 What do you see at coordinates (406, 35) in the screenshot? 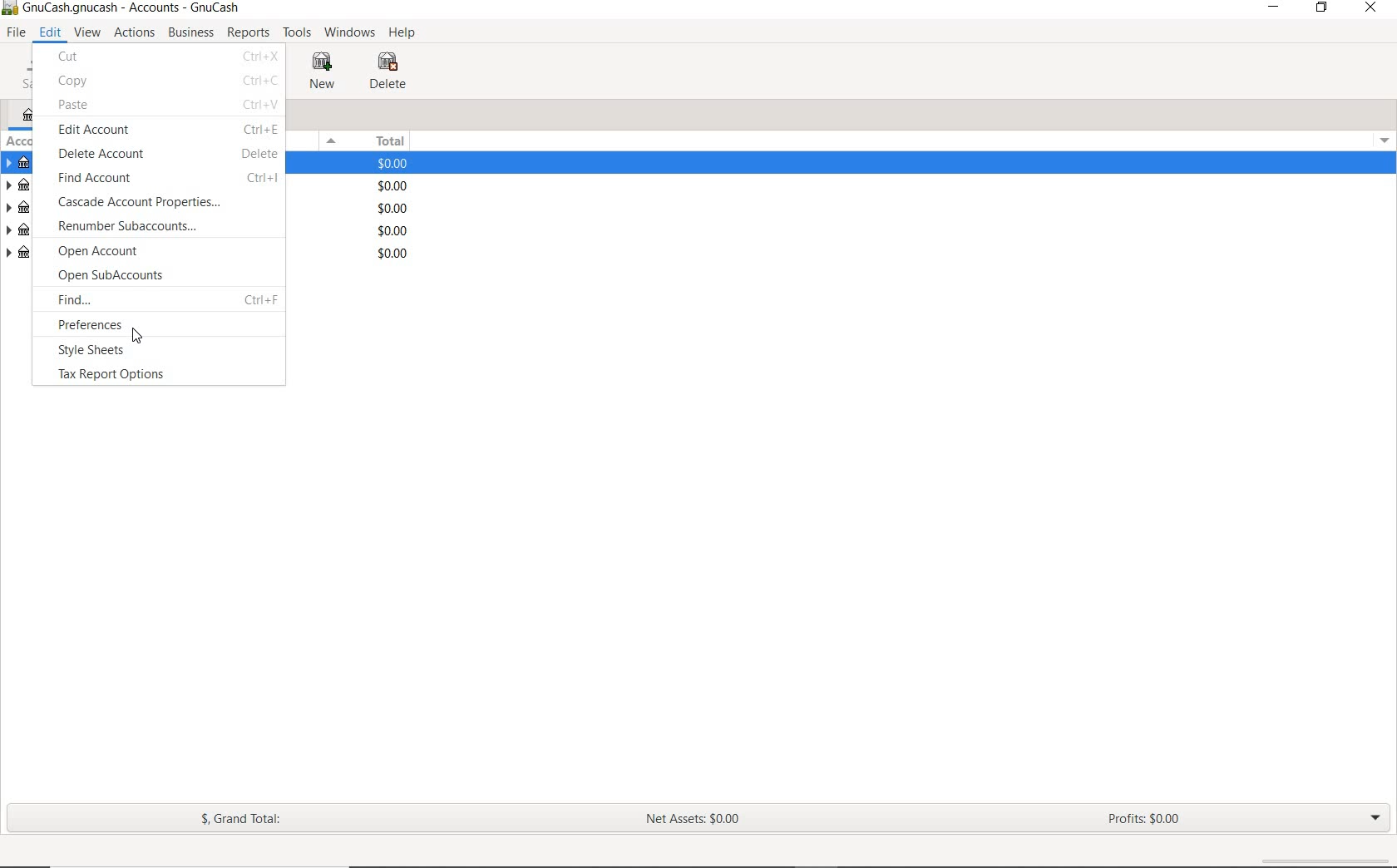
I see `HELP` at bounding box center [406, 35].